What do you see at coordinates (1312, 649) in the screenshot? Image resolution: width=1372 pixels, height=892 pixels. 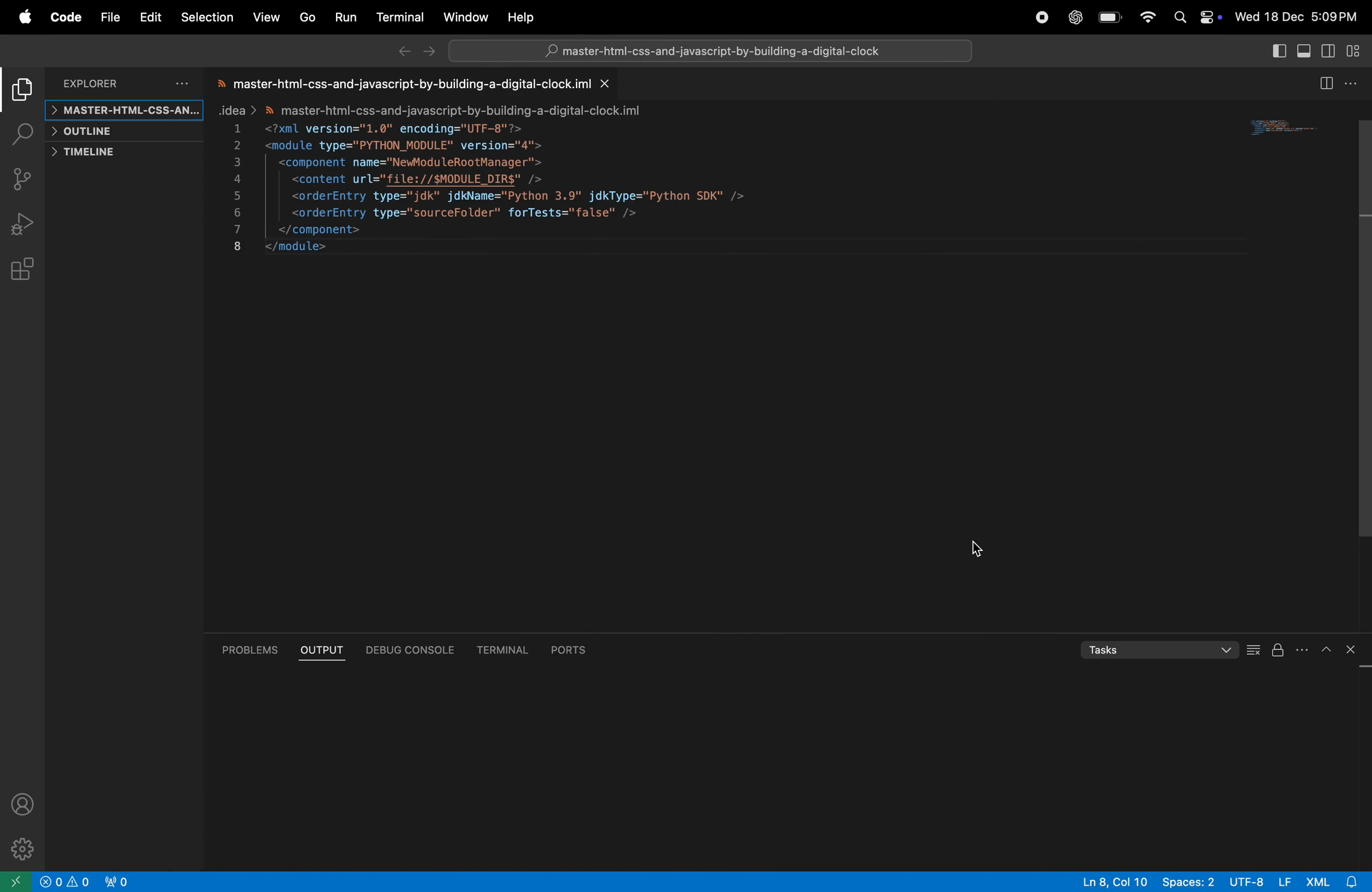 I see `options` at bounding box center [1312, 649].